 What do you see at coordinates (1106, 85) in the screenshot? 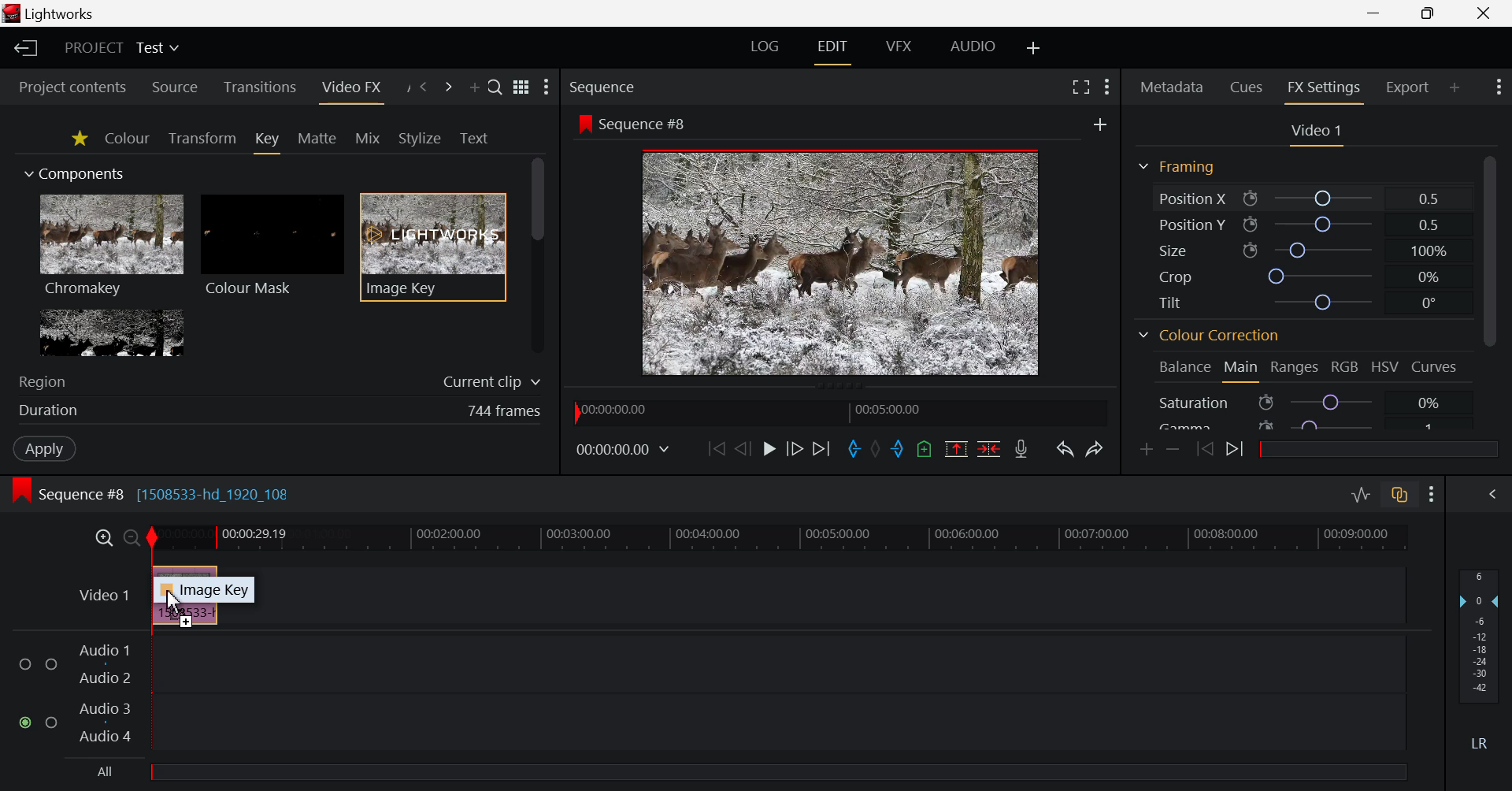
I see `Show Settings` at bounding box center [1106, 85].